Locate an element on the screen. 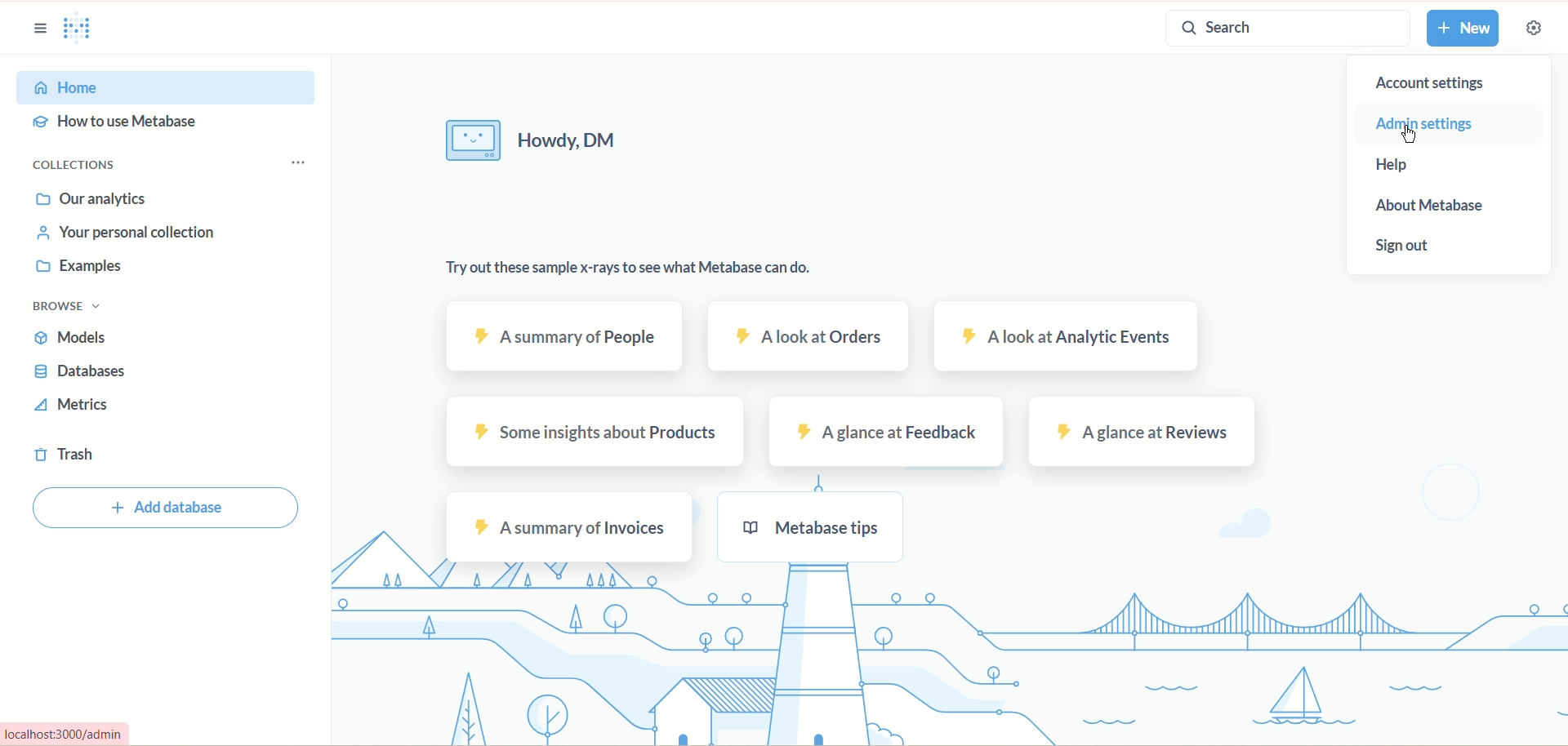  home is located at coordinates (164, 87).